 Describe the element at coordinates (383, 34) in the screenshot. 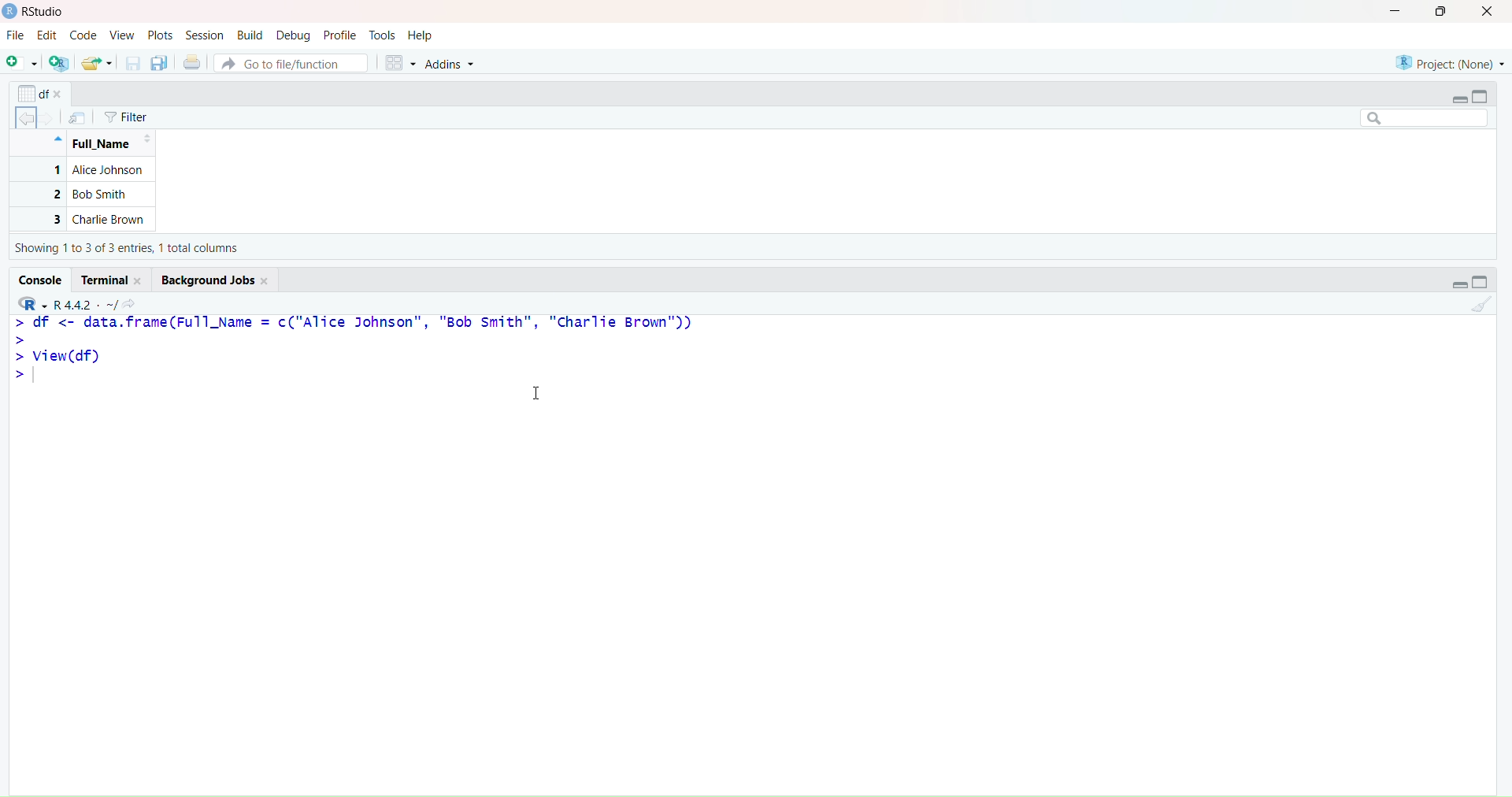

I see `Tools` at that location.